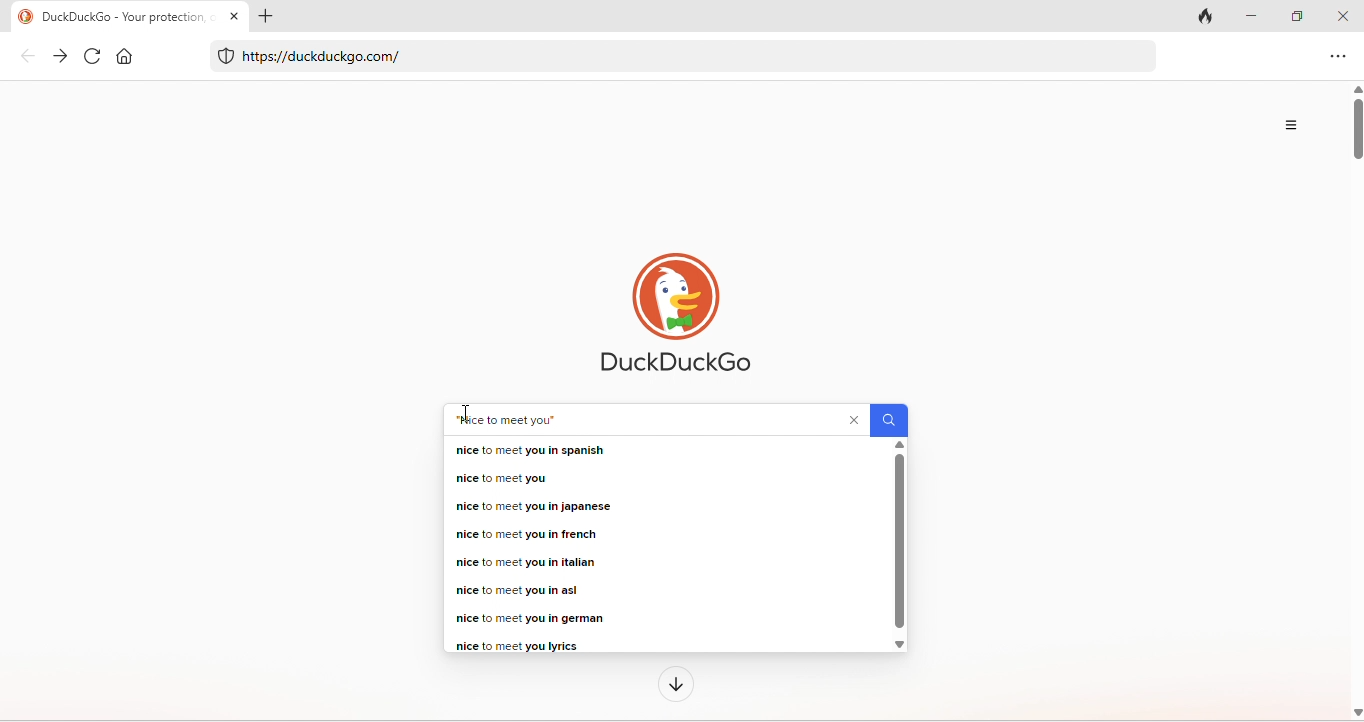 Image resolution: width=1364 pixels, height=722 pixels. Describe the element at coordinates (1355, 402) in the screenshot. I see `vertical scroll bar` at that location.